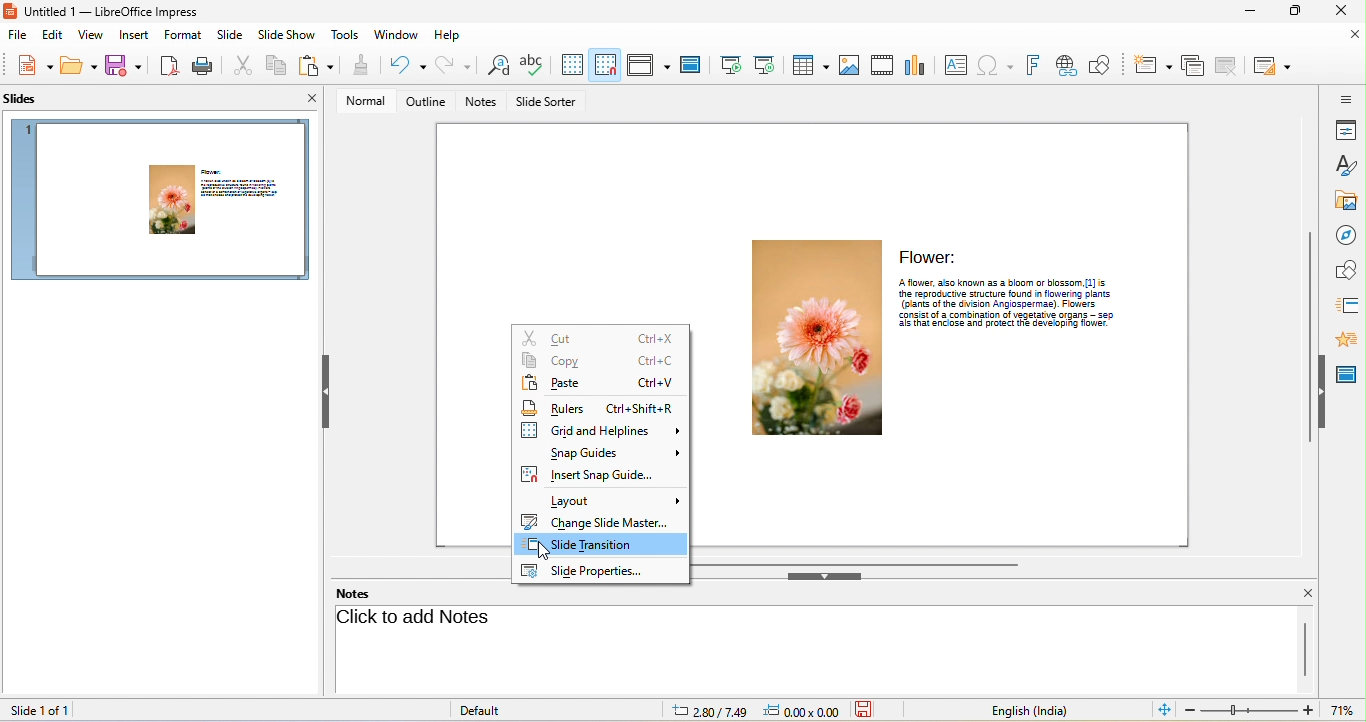 The image size is (1366, 722). I want to click on Flower:, so click(933, 257).